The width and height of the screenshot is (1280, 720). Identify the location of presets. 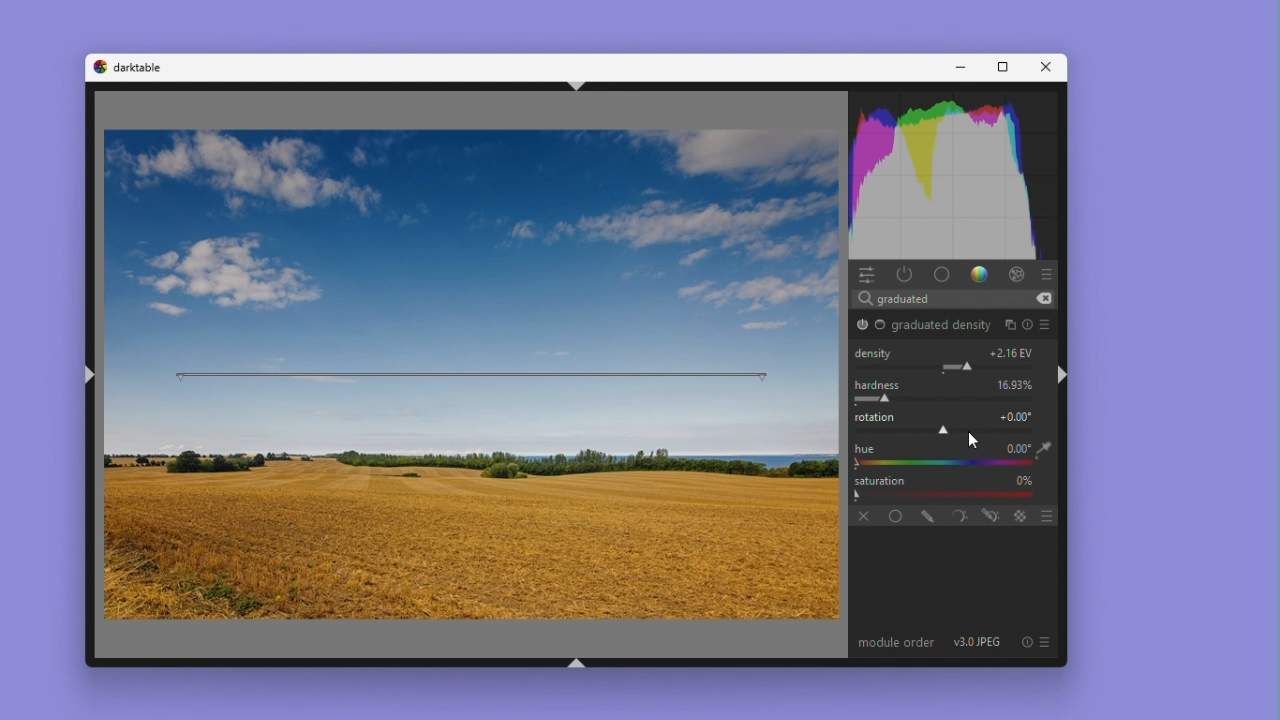
(1050, 272).